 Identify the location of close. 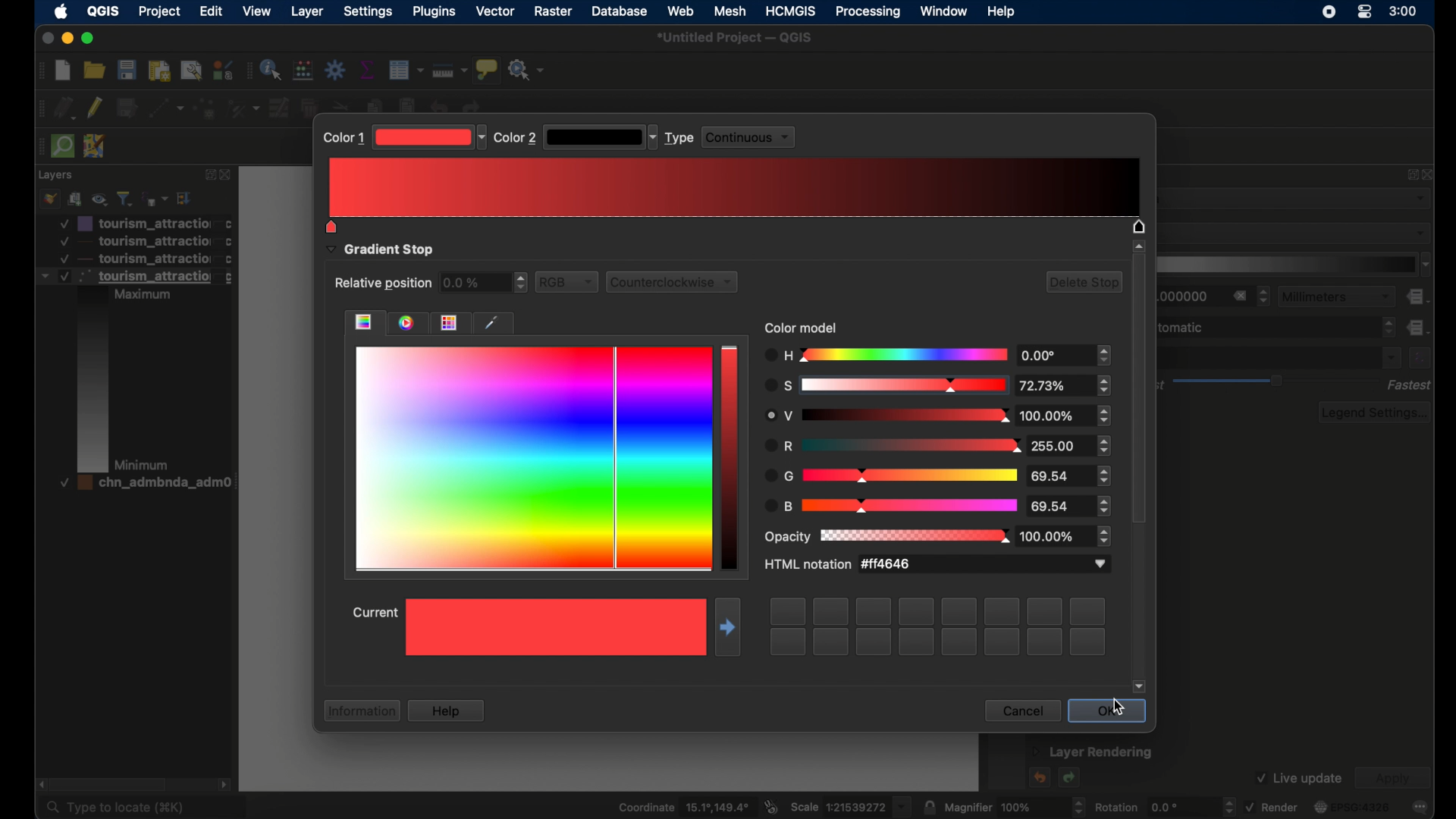
(1430, 174).